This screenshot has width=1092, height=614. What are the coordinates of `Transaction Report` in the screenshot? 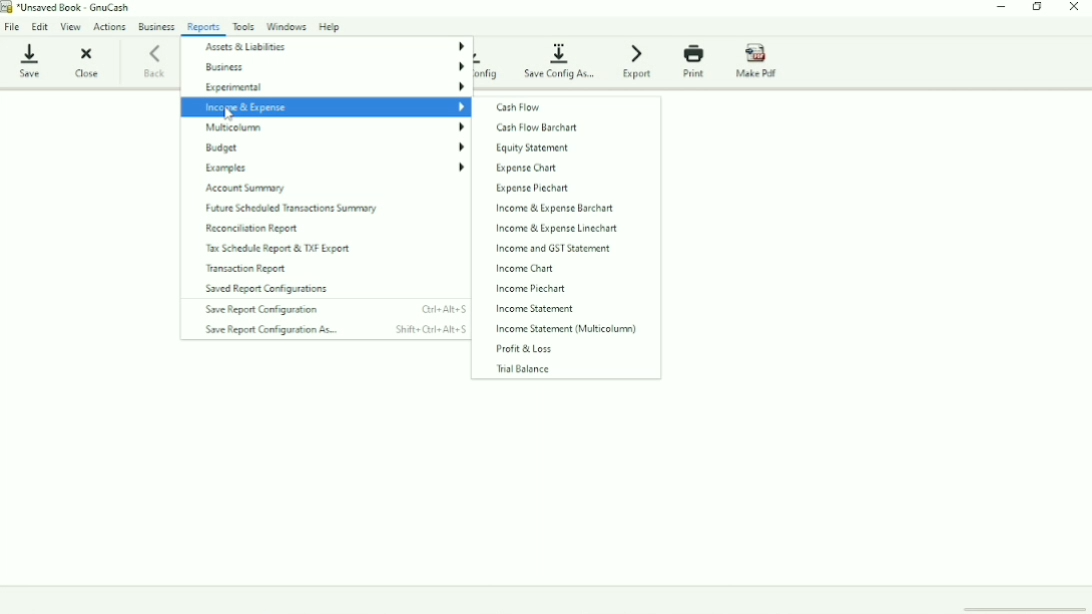 It's located at (251, 268).